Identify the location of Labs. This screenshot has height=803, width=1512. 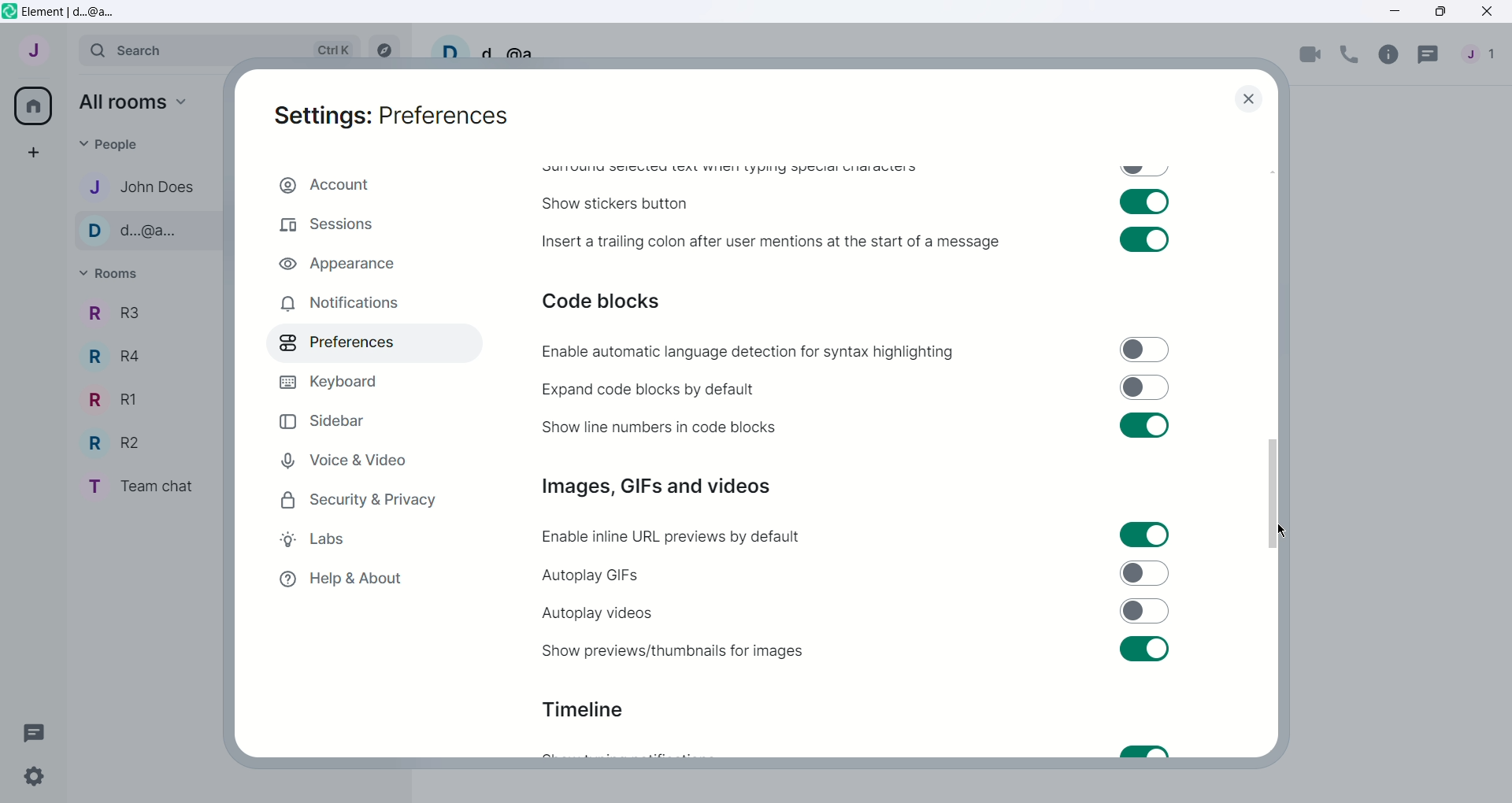
(360, 539).